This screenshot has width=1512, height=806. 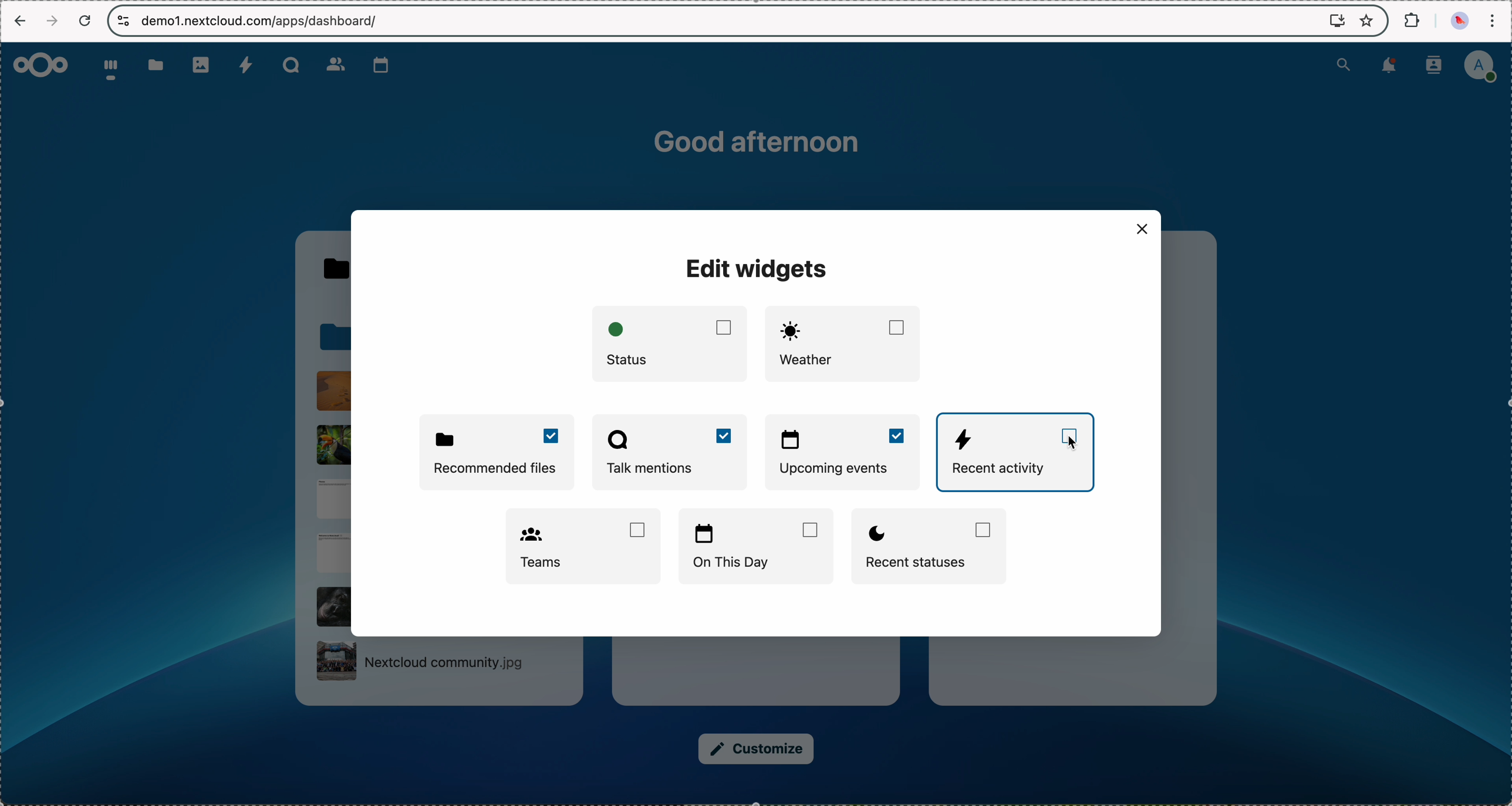 I want to click on Teams, so click(x=582, y=547).